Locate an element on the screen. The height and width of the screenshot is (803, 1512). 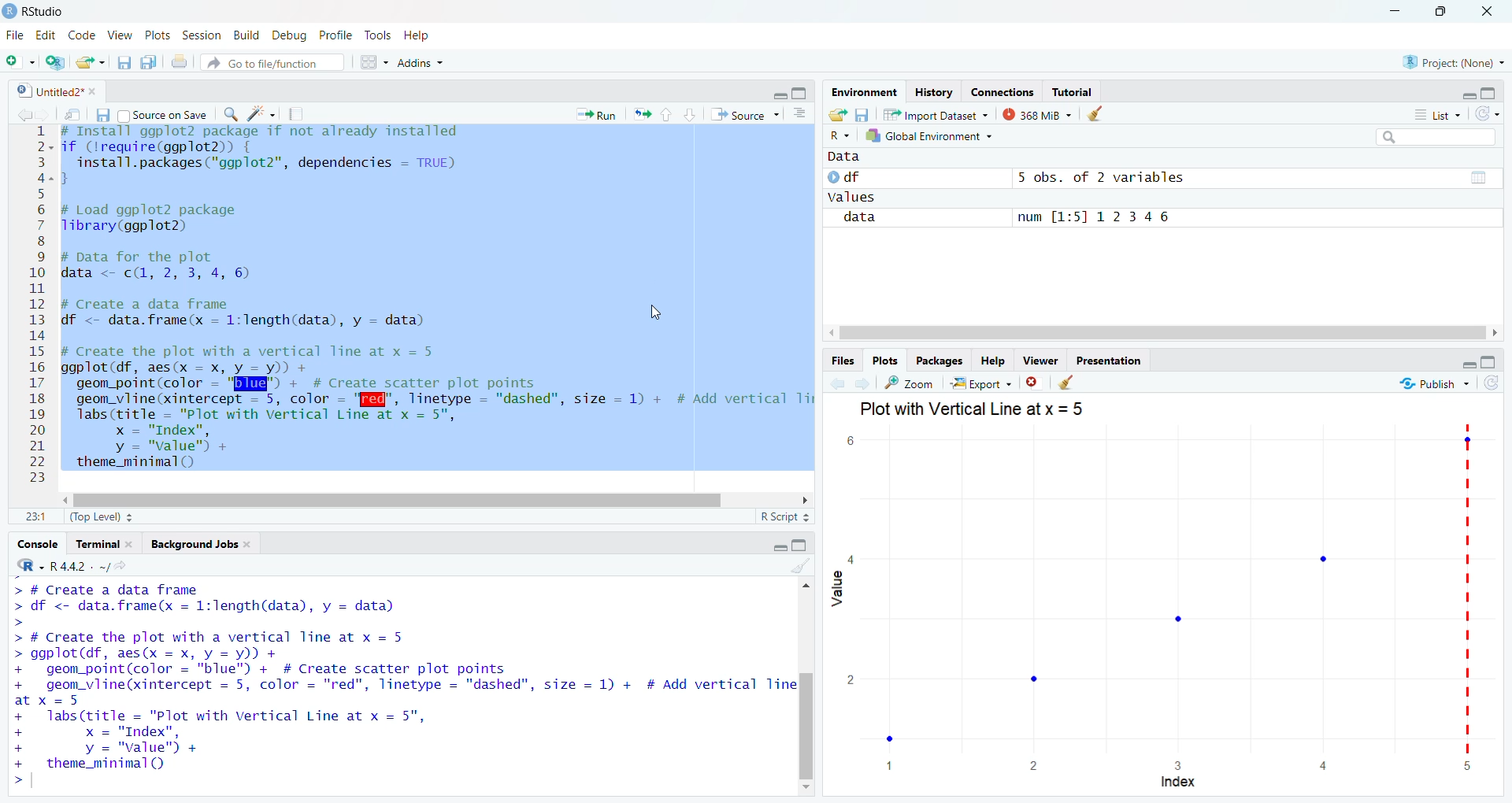
R ~ is located at coordinates (840, 136).